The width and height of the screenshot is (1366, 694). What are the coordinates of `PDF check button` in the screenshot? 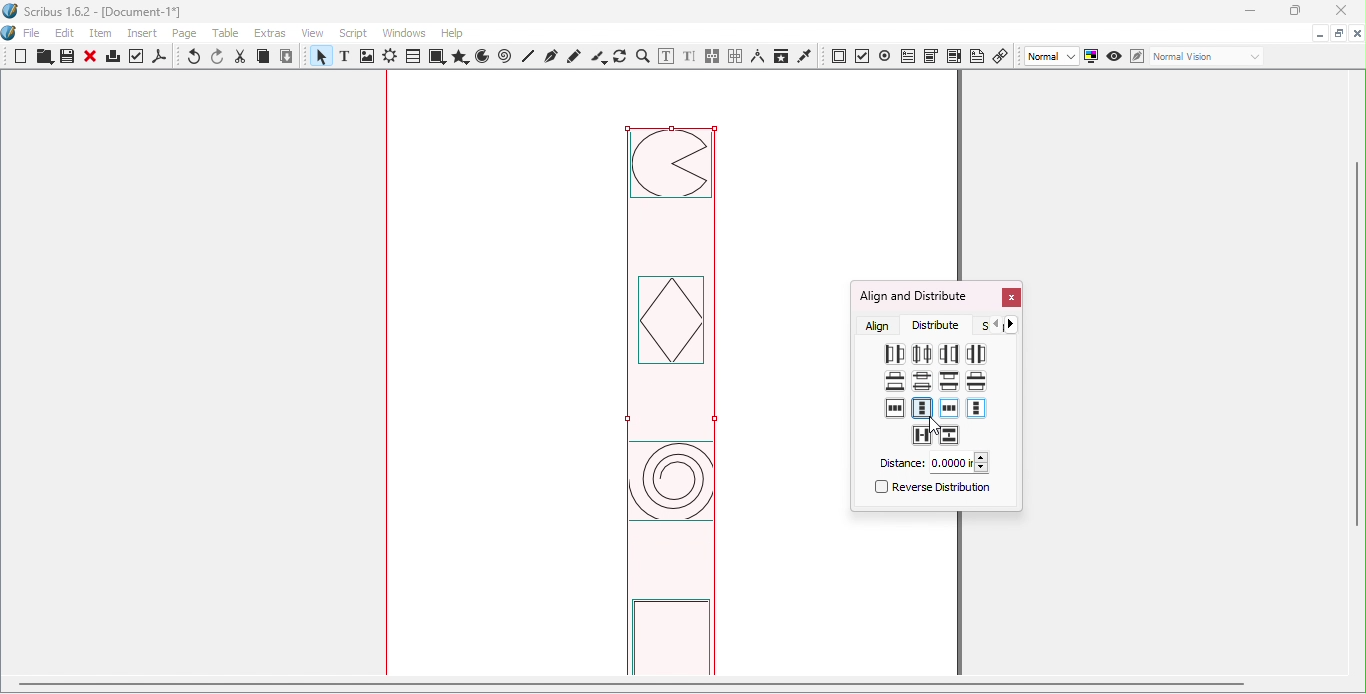 It's located at (863, 55).